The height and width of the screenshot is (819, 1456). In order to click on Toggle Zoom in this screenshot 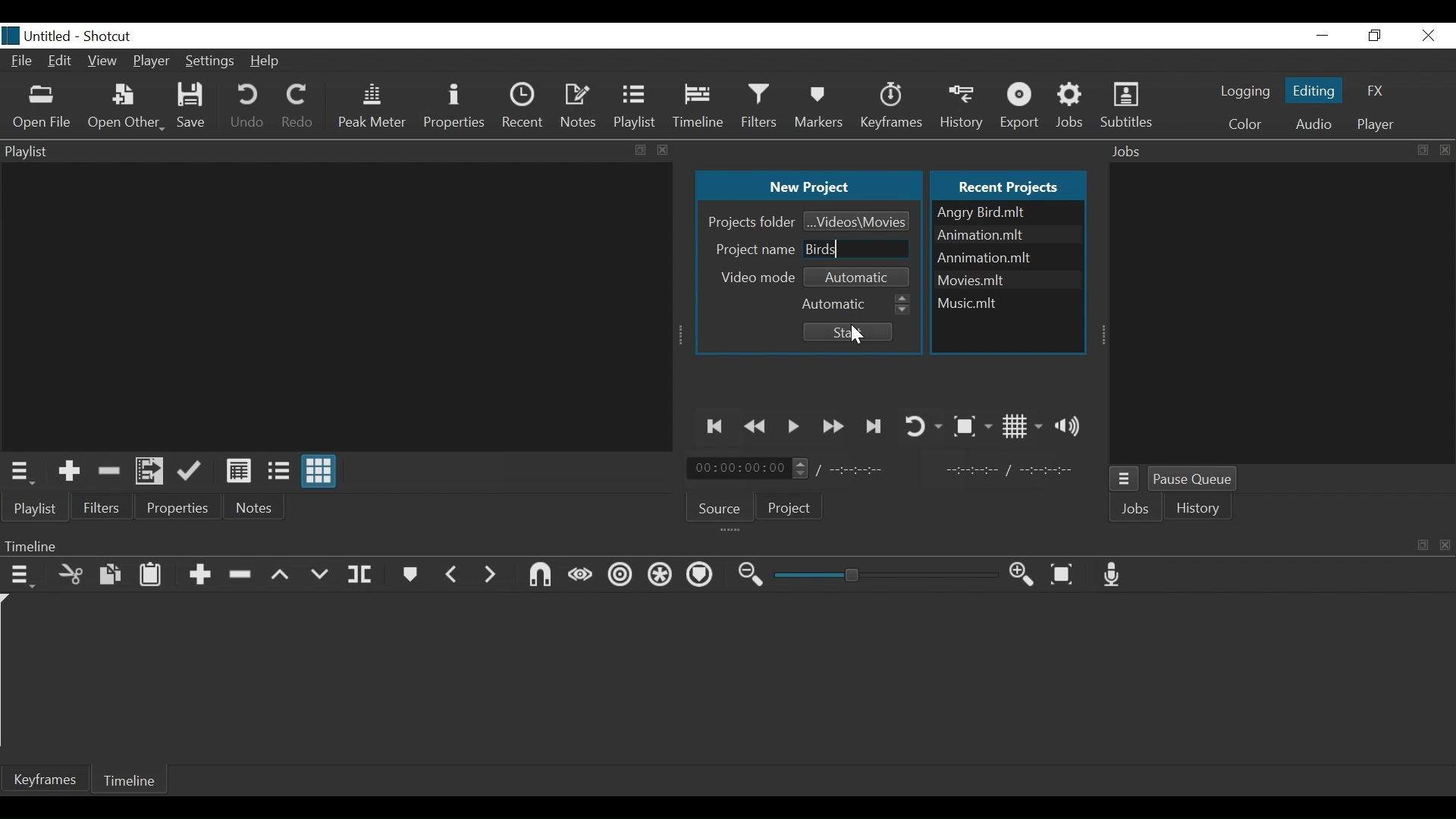, I will do `click(971, 426)`.